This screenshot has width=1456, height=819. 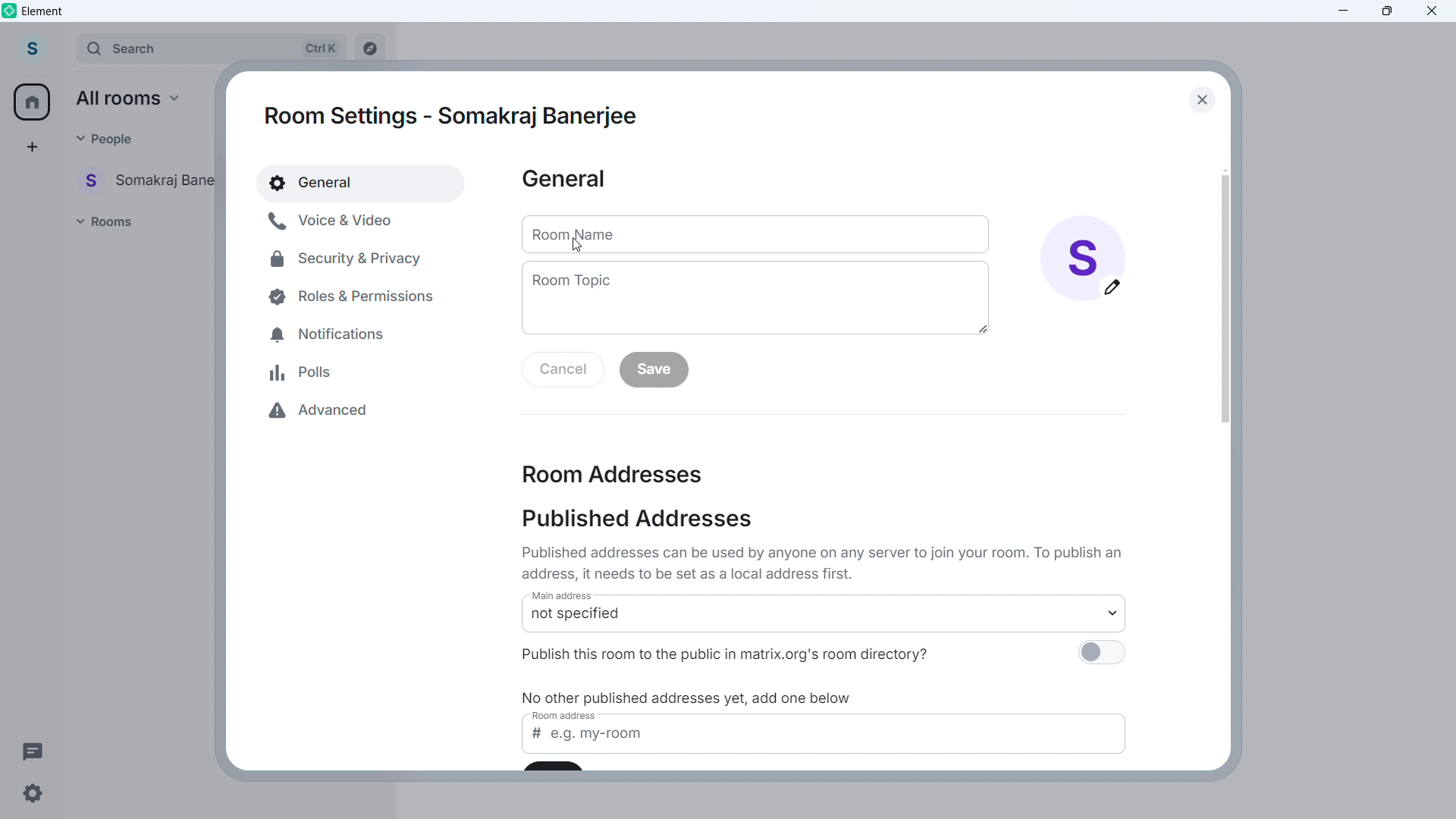 I want to click on explore room, so click(x=375, y=45).